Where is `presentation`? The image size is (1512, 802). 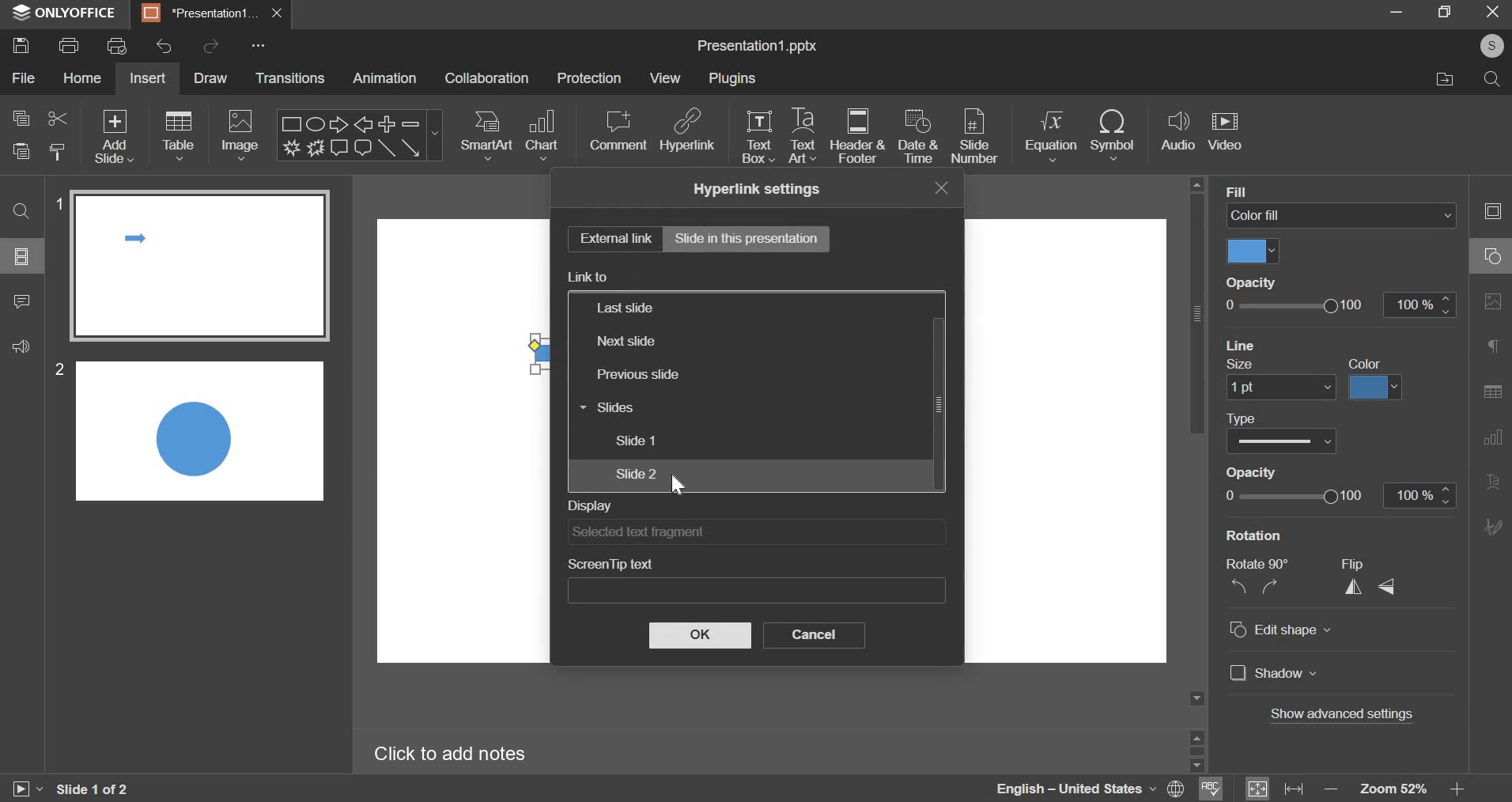 presentation is located at coordinates (211, 13).